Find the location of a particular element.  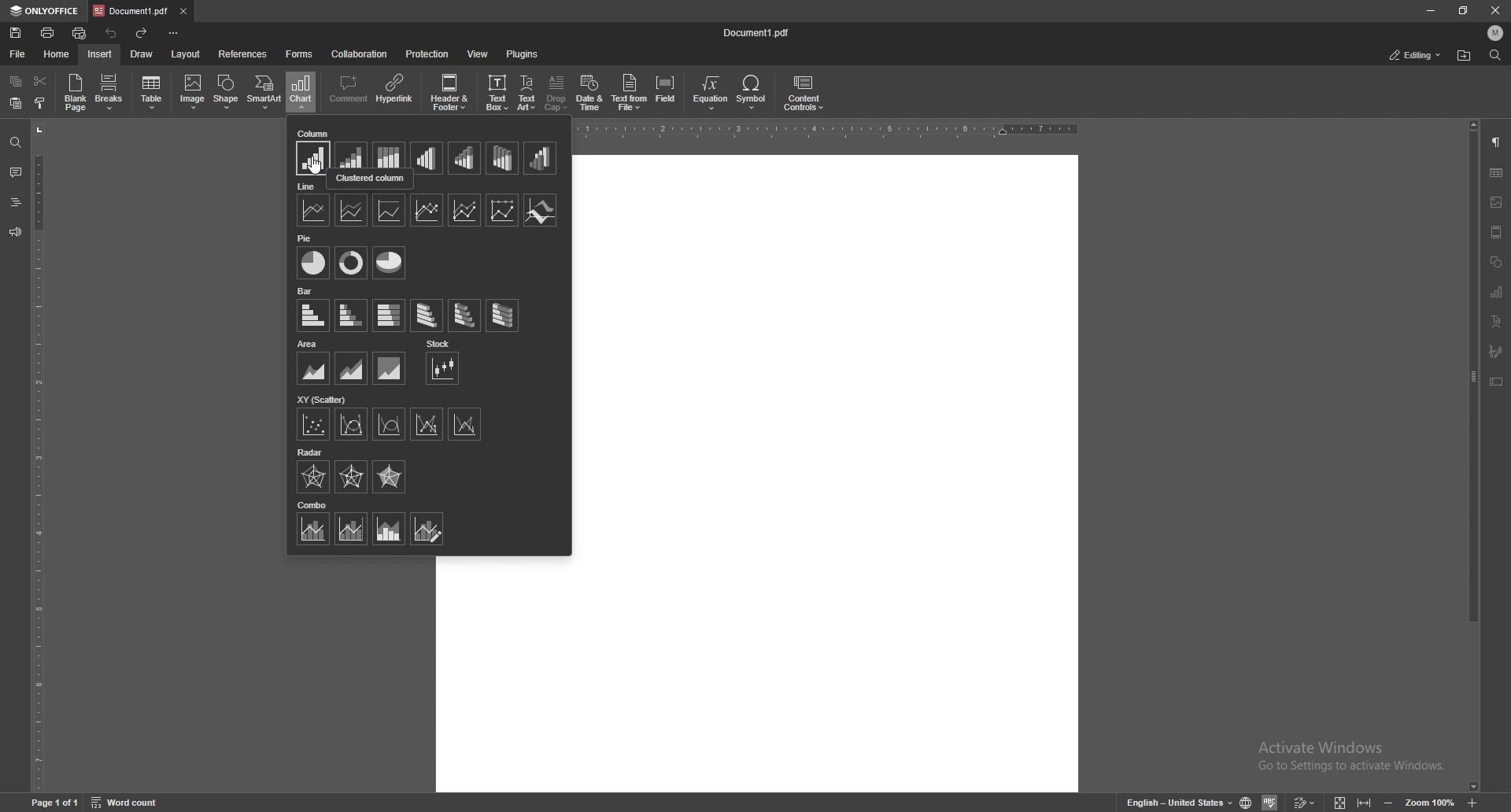

tab is located at coordinates (131, 10).